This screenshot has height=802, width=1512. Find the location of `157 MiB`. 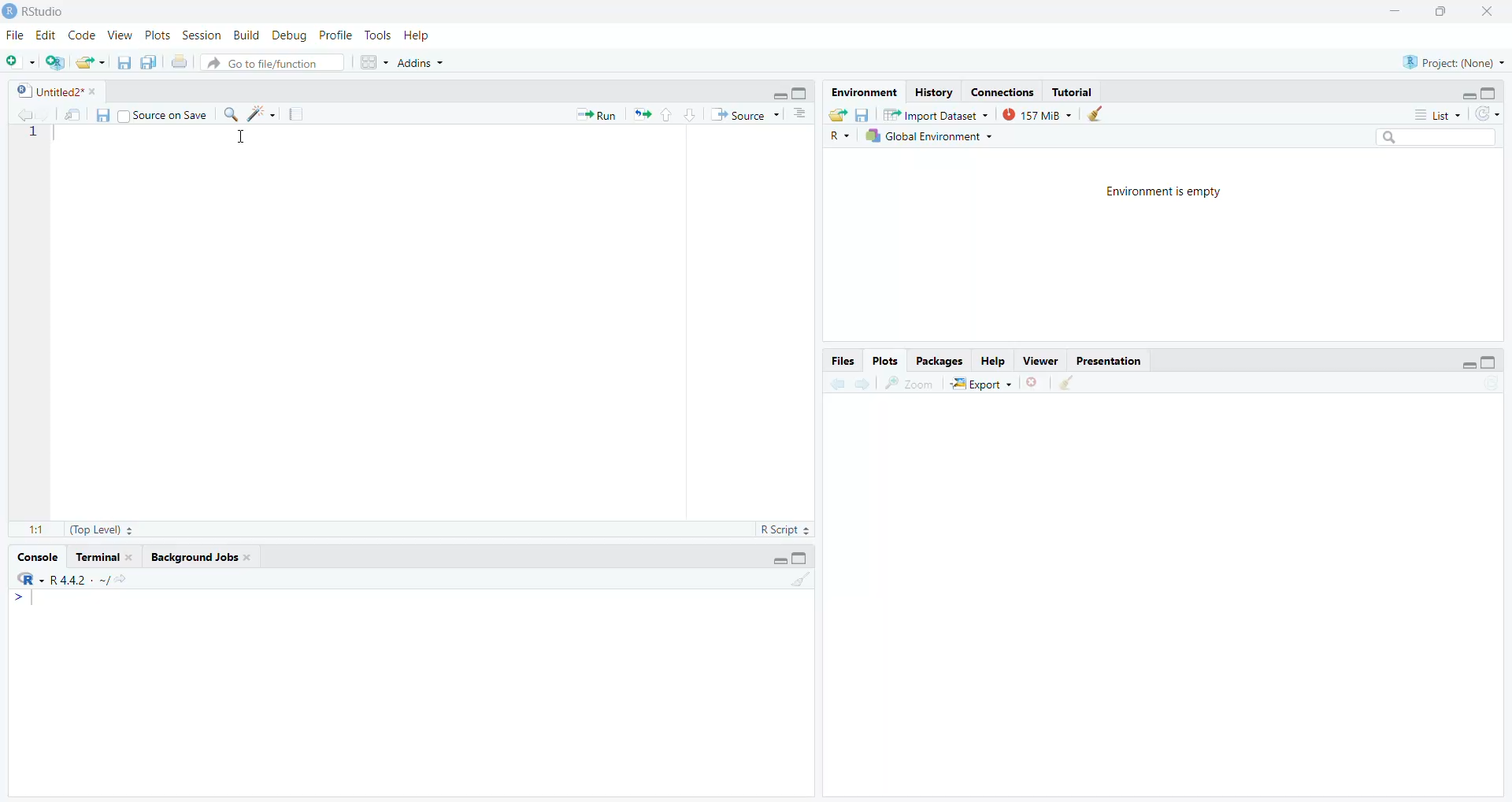

157 MiB is located at coordinates (1036, 114).